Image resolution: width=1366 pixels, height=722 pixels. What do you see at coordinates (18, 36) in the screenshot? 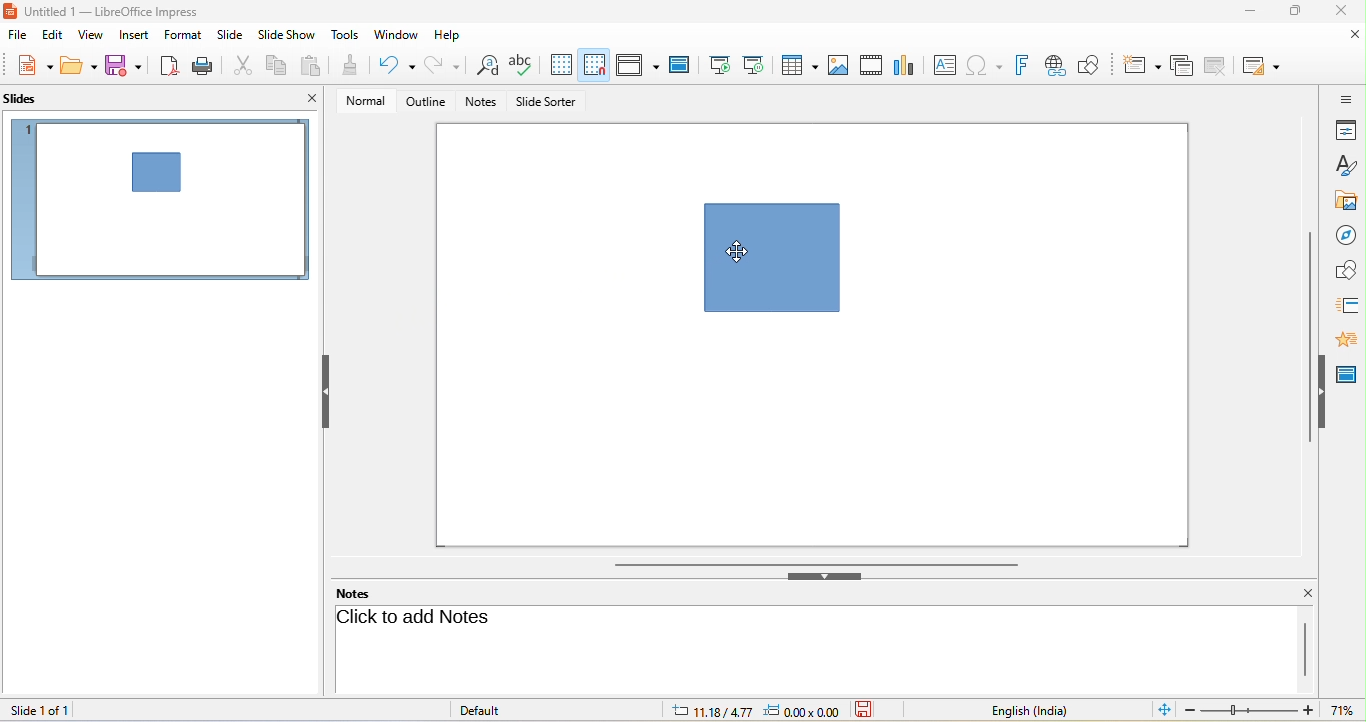
I see `file` at bounding box center [18, 36].